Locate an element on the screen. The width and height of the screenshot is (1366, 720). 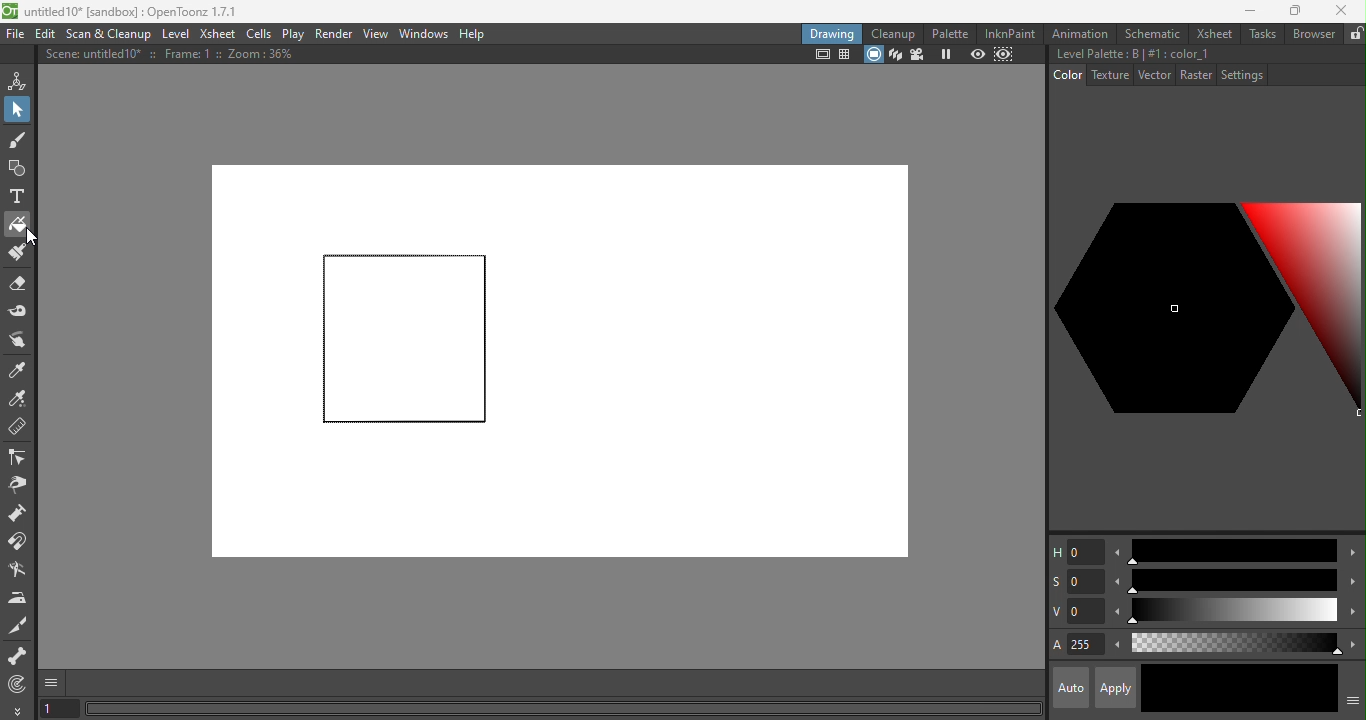
Slide bar is located at coordinates (1232, 581).